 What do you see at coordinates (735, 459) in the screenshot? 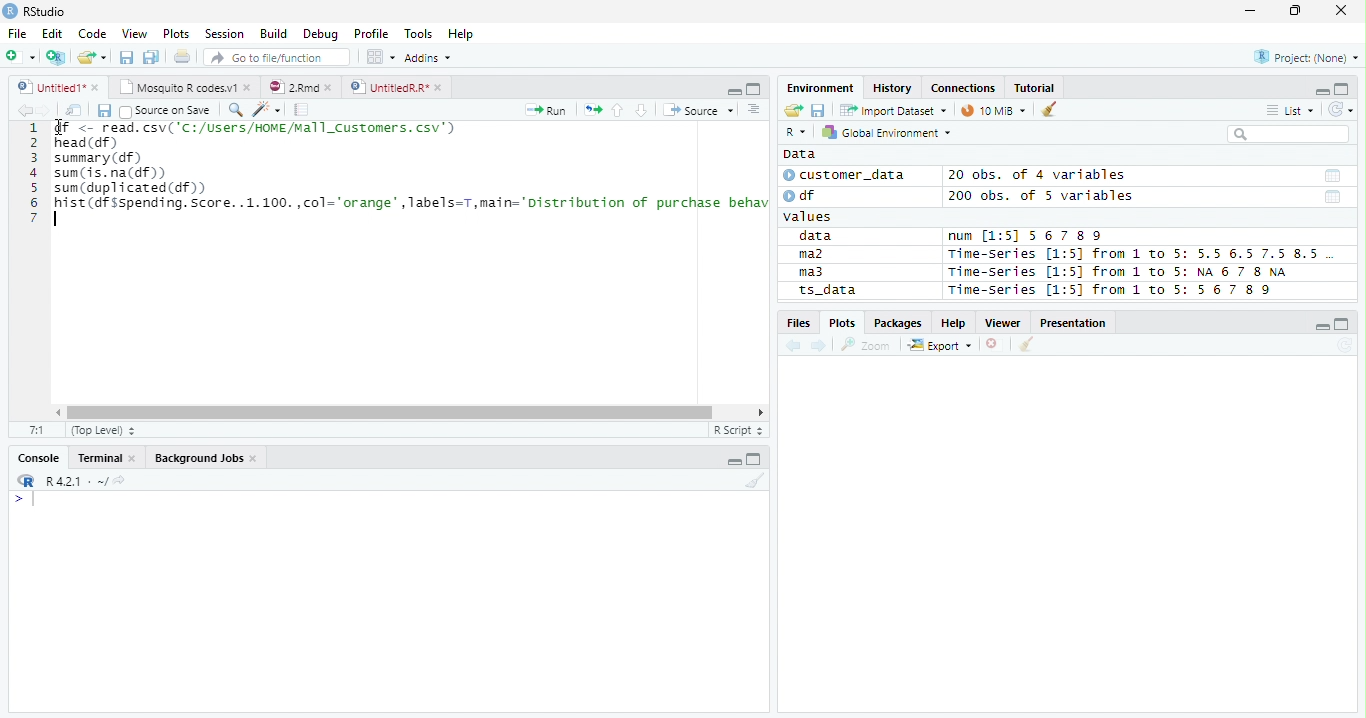
I see `Minimize` at bounding box center [735, 459].